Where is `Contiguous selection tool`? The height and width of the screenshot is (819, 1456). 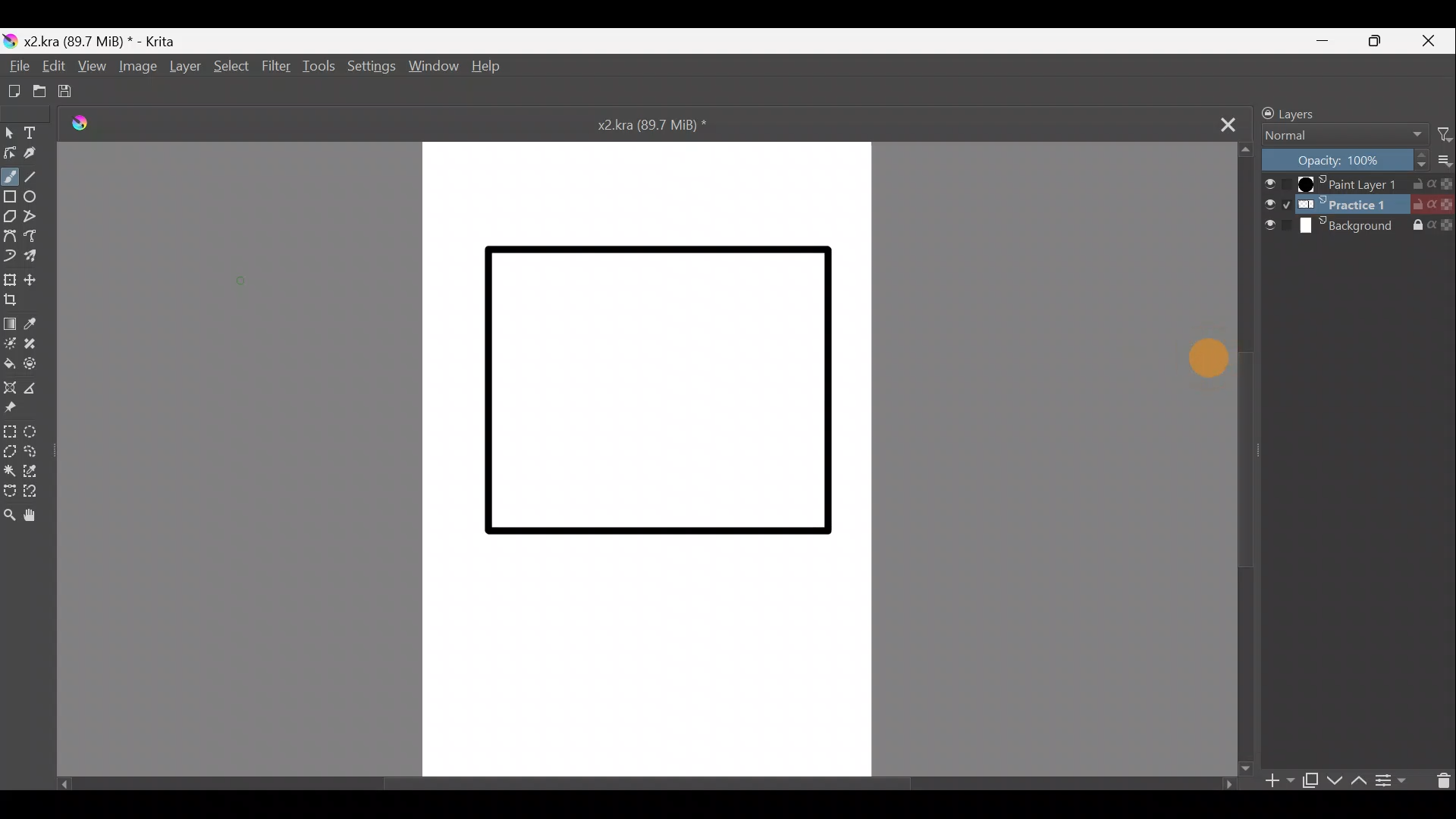
Contiguous selection tool is located at coordinates (11, 469).